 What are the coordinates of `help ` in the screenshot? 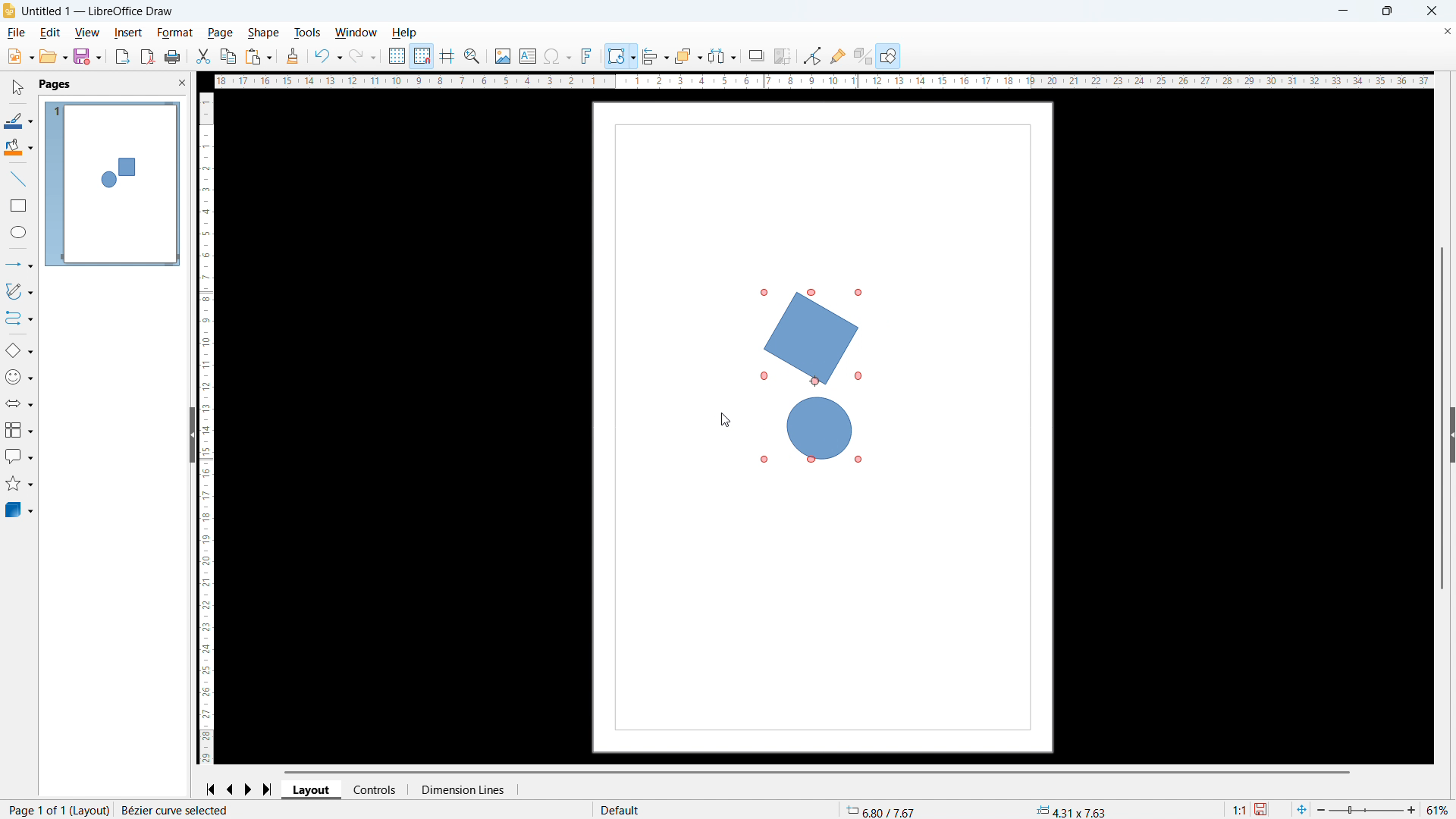 It's located at (405, 33).